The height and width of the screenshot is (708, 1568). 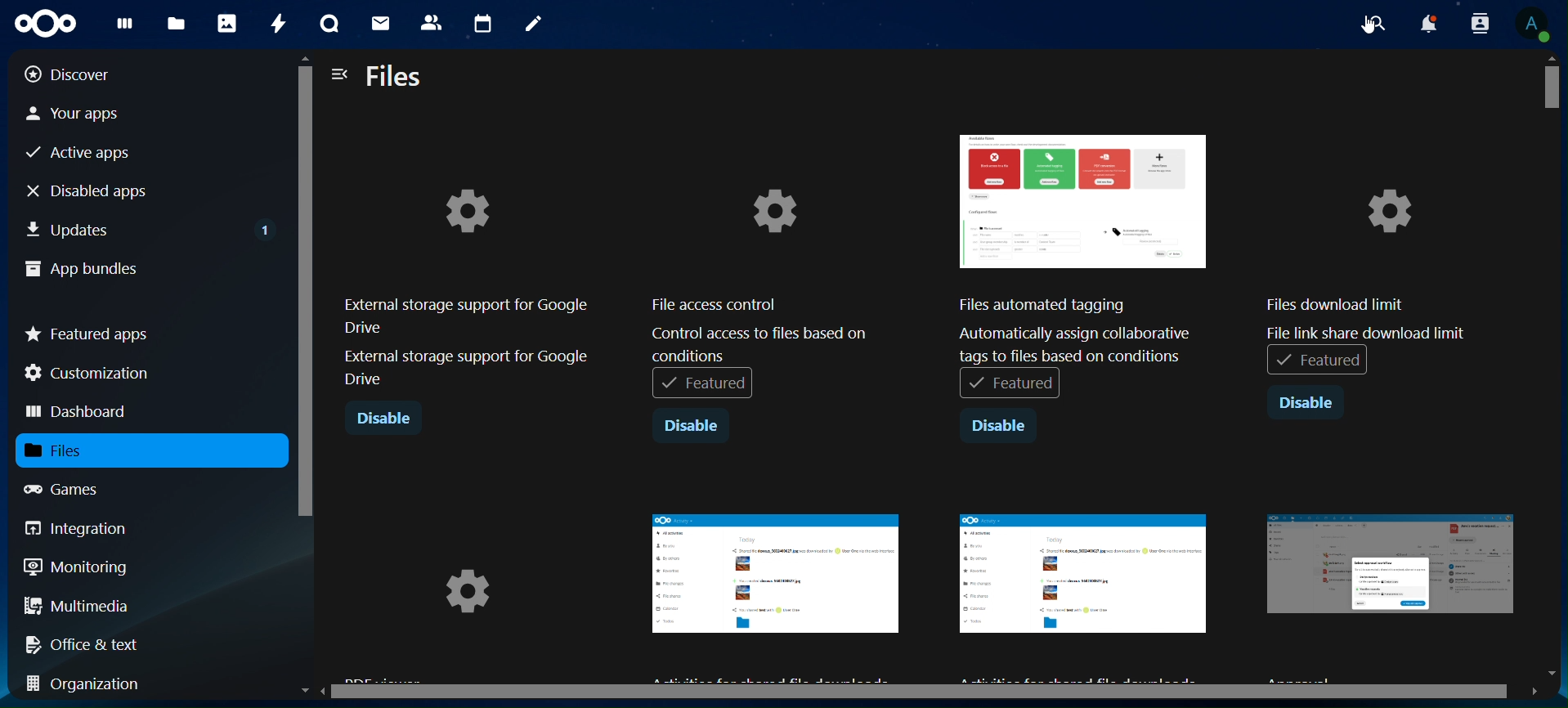 What do you see at coordinates (124, 27) in the screenshot?
I see `dashboard` at bounding box center [124, 27].